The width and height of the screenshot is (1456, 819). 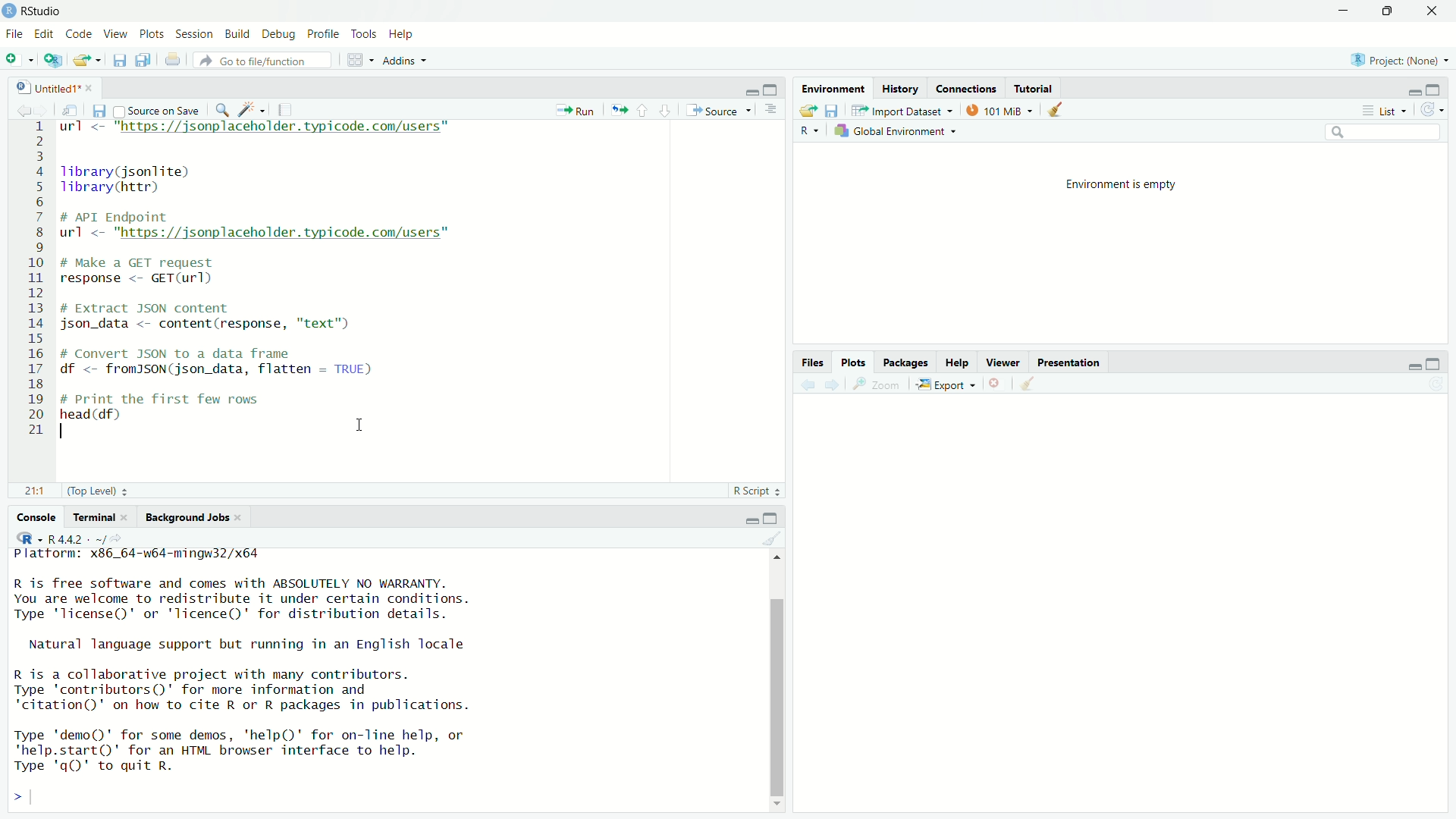 What do you see at coordinates (895, 133) in the screenshot?
I see `Global Environment ` at bounding box center [895, 133].